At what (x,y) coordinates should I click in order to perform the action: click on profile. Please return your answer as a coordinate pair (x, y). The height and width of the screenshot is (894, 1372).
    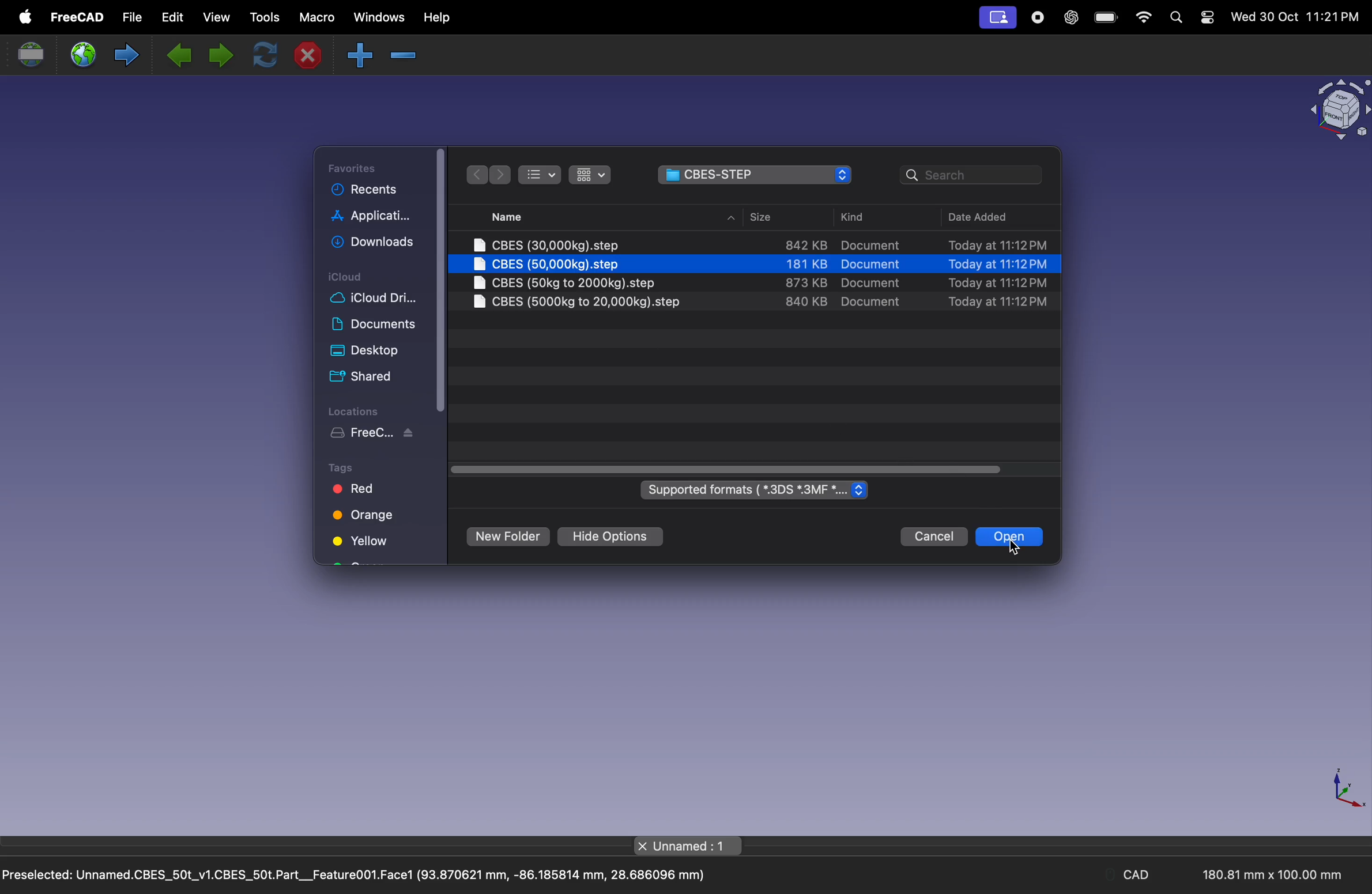
    Looking at the image, I should click on (998, 18).